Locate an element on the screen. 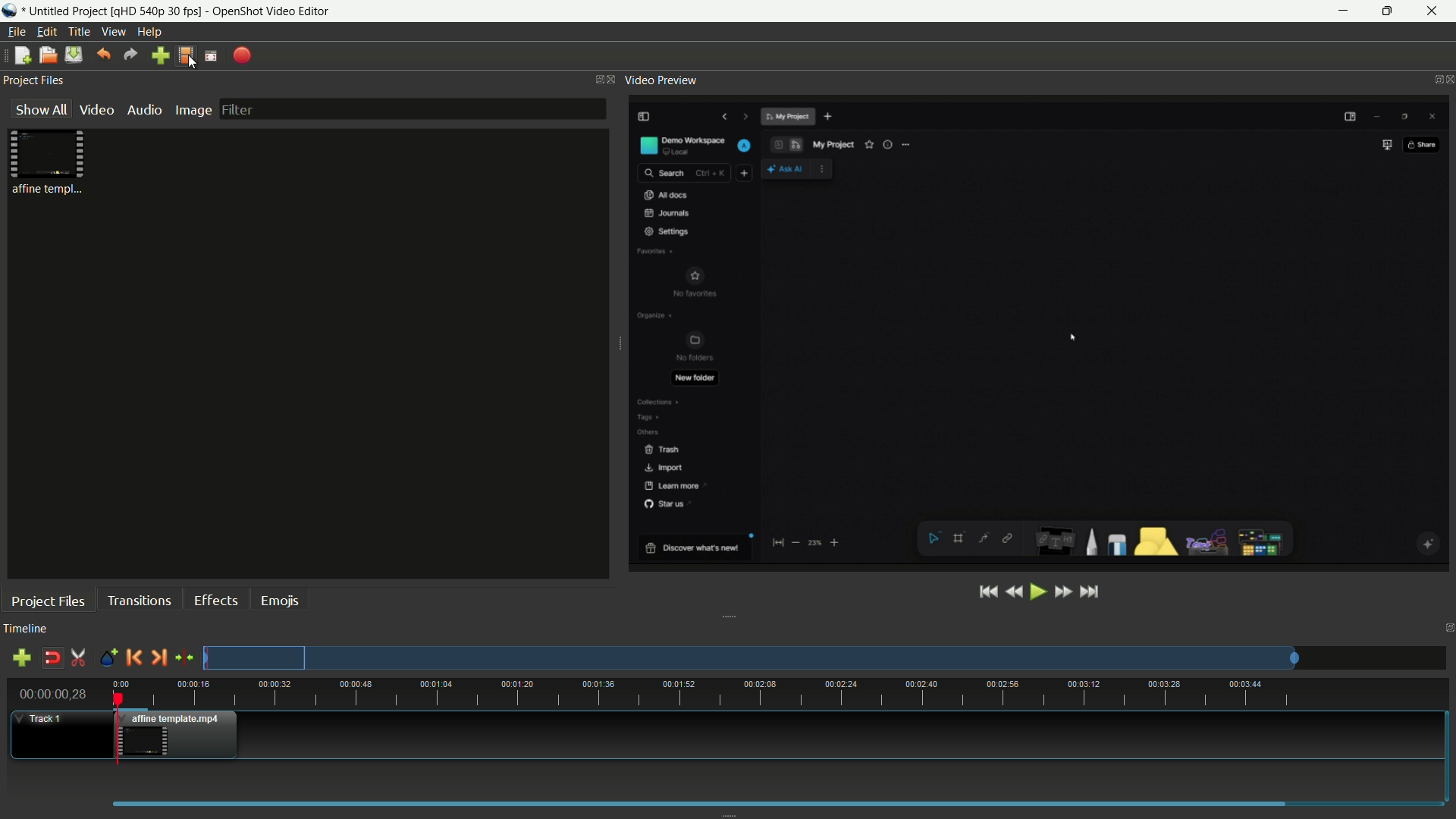 The width and height of the screenshot is (1456, 819). cursor is located at coordinates (194, 66).